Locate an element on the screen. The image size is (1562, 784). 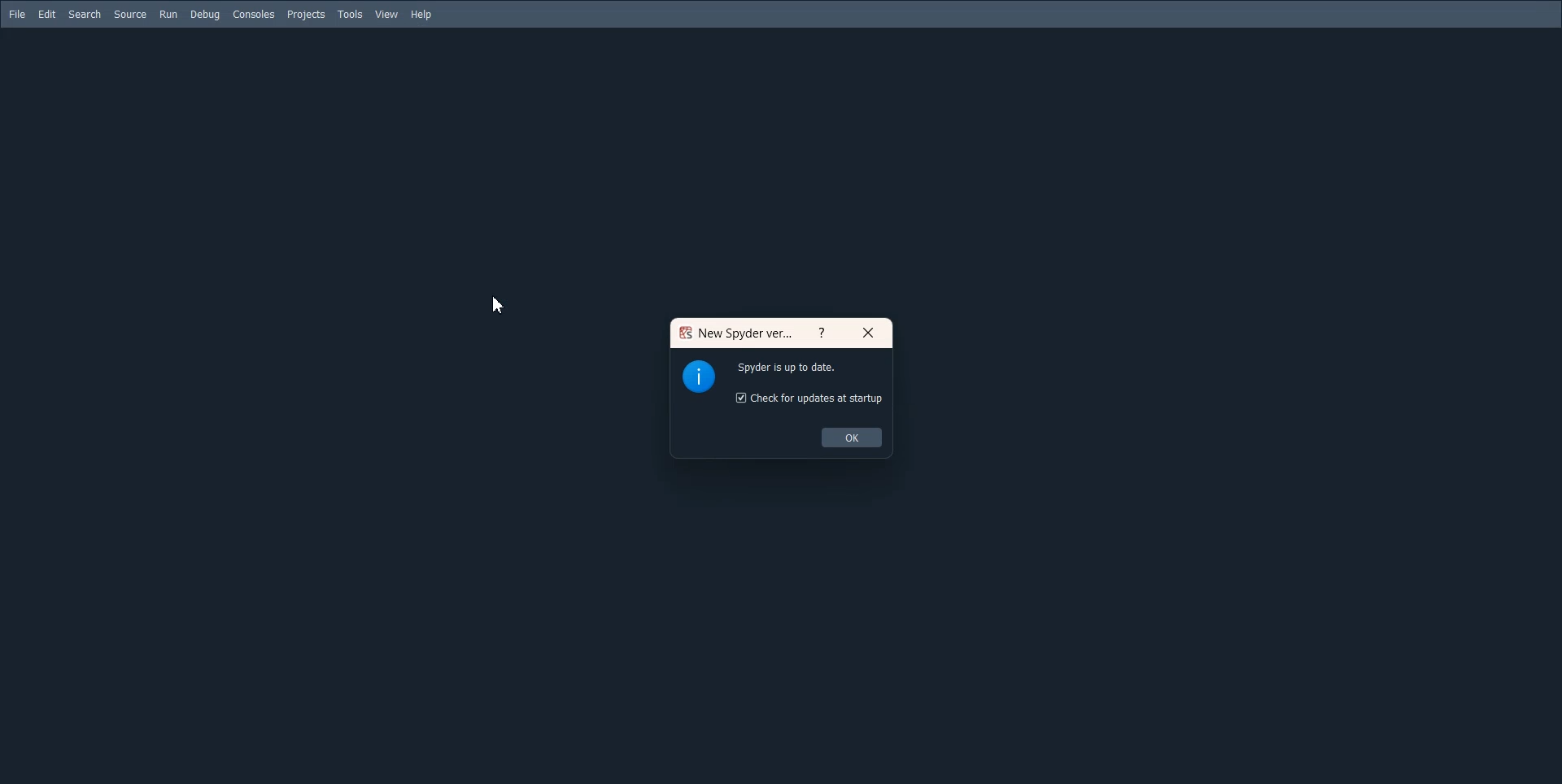
Edit is located at coordinates (46, 14).